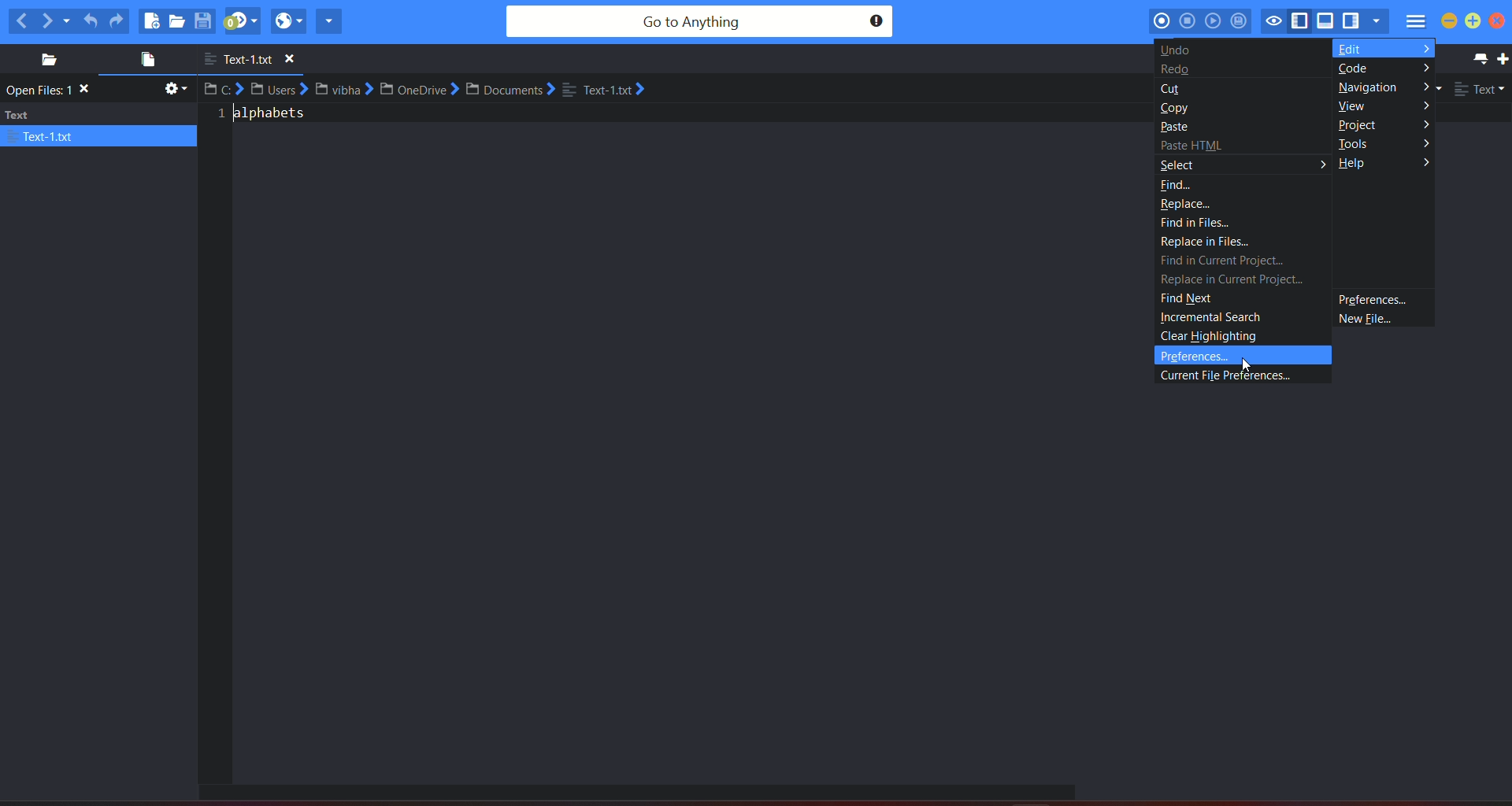 This screenshot has height=806, width=1512. What do you see at coordinates (1359, 125) in the screenshot?
I see `project` at bounding box center [1359, 125].